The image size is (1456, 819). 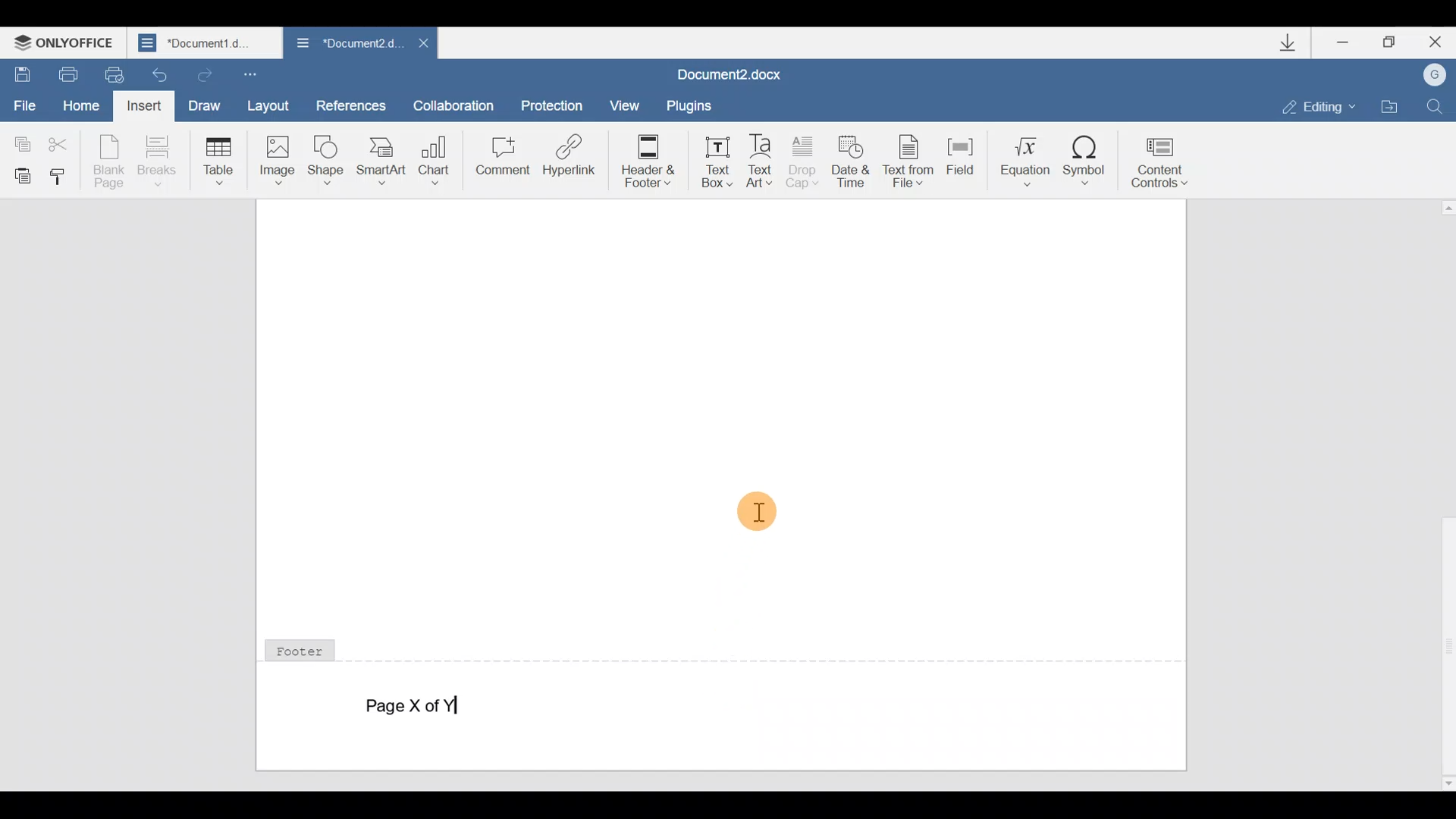 What do you see at coordinates (1437, 75) in the screenshot?
I see `Account name` at bounding box center [1437, 75].